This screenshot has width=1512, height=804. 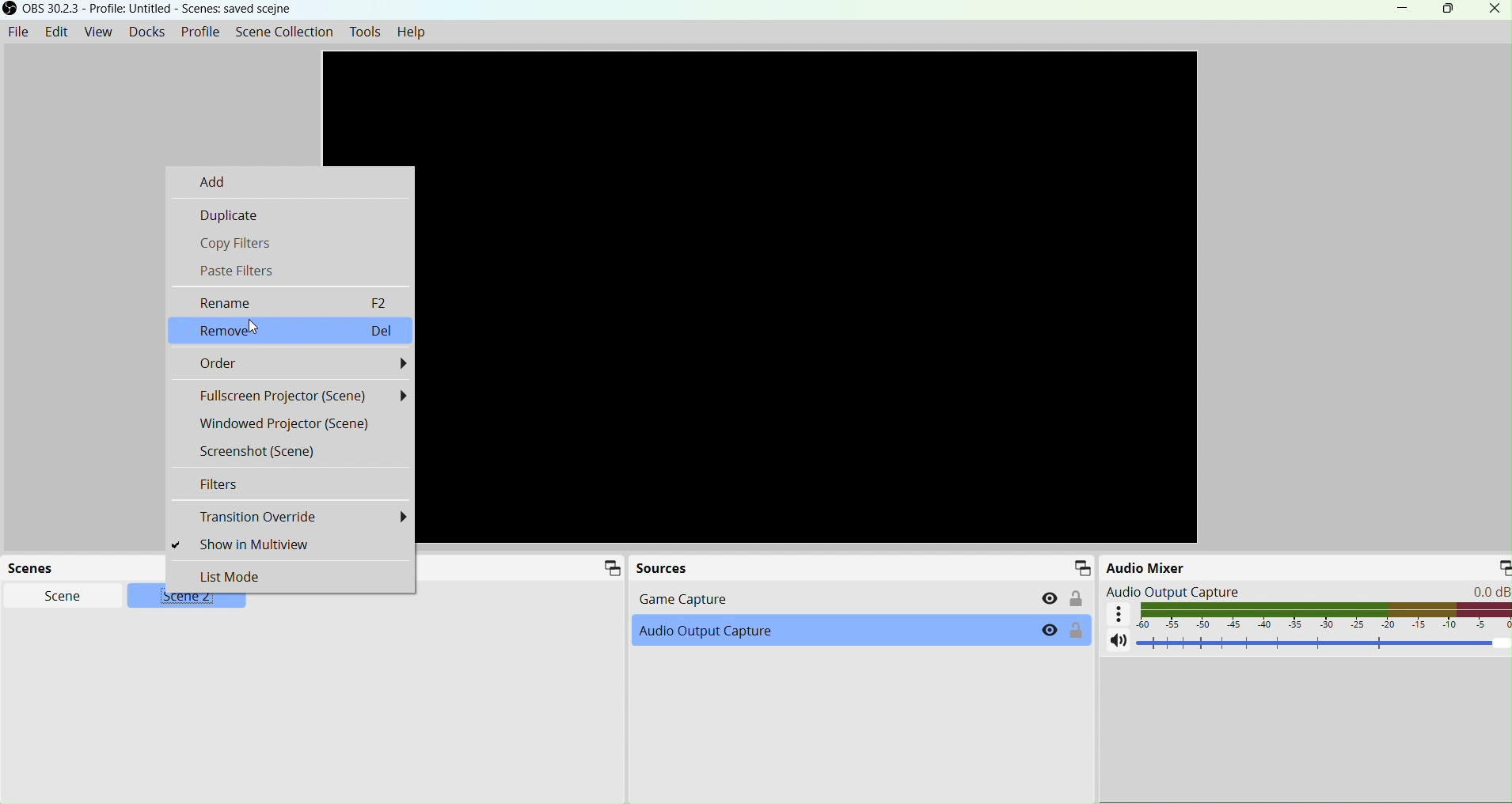 I want to click on Transition Override, so click(x=290, y=517).